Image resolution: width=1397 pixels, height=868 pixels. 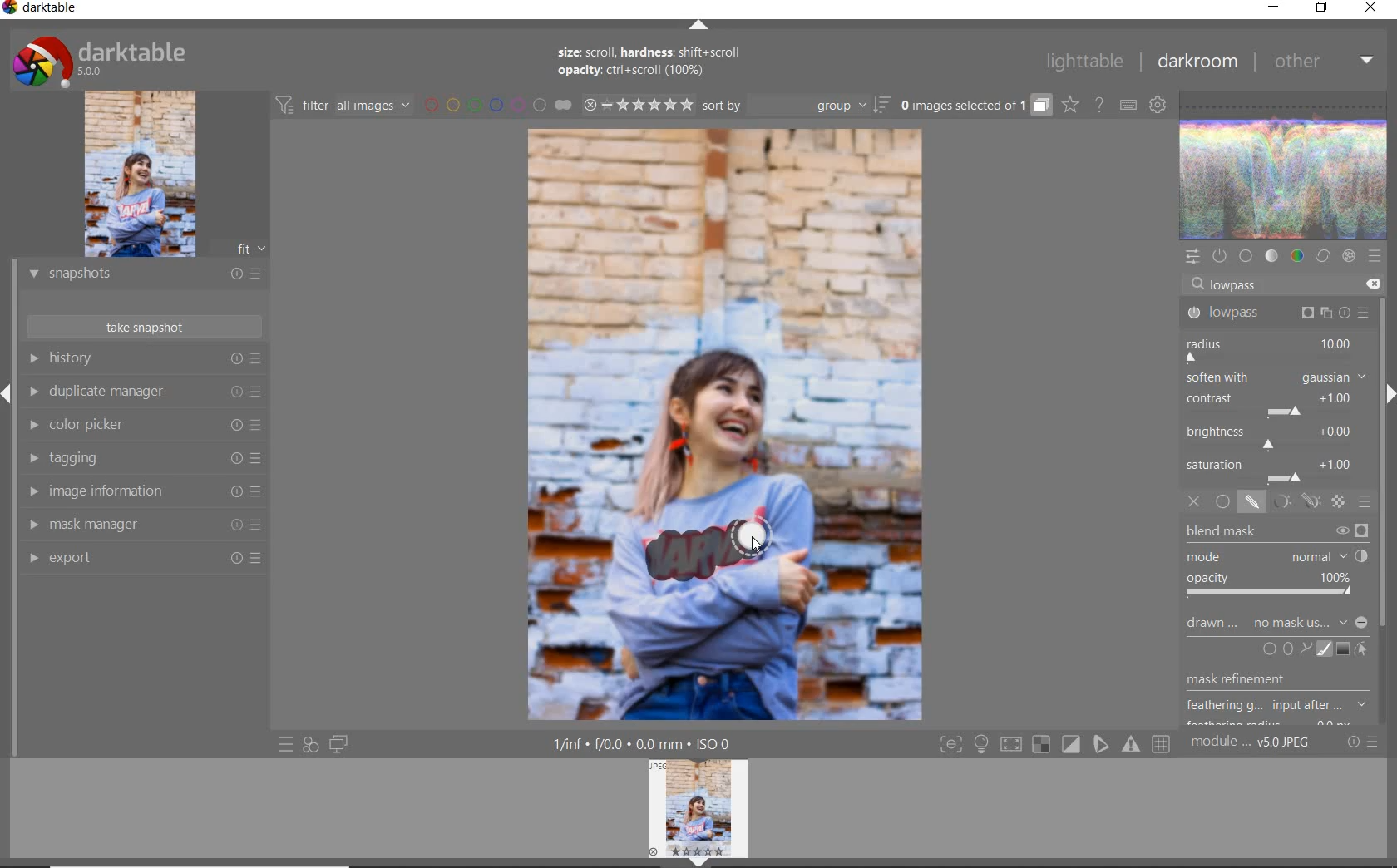 What do you see at coordinates (497, 106) in the screenshot?
I see `filter images by color labels` at bounding box center [497, 106].